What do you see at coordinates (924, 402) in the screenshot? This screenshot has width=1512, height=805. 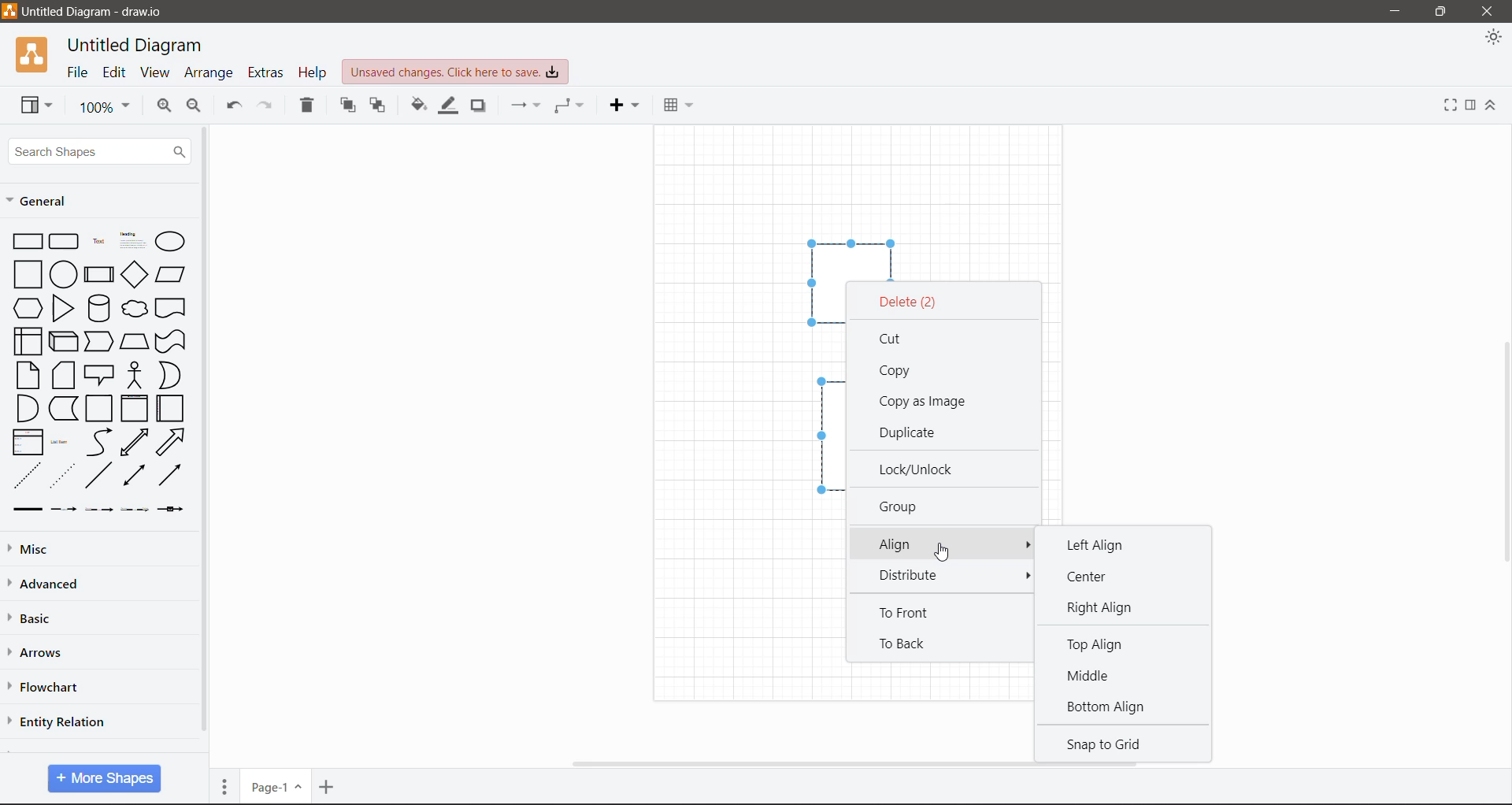 I see `Copy as Image` at bounding box center [924, 402].